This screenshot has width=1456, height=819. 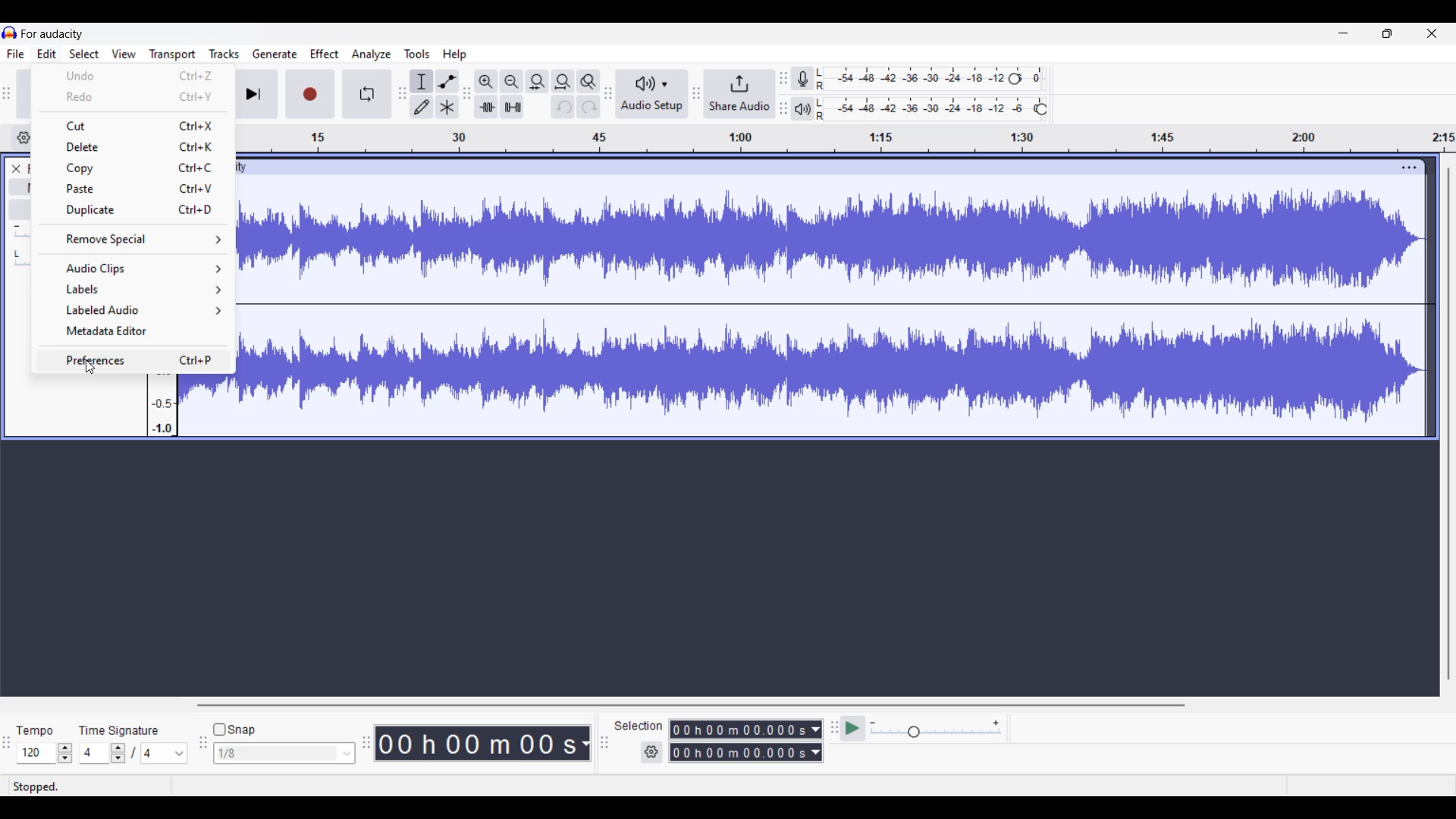 What do you see at coordinates (486, 107) in the screenshot?
I see `Trim audio outside selection` at bounding box center [486, 107].